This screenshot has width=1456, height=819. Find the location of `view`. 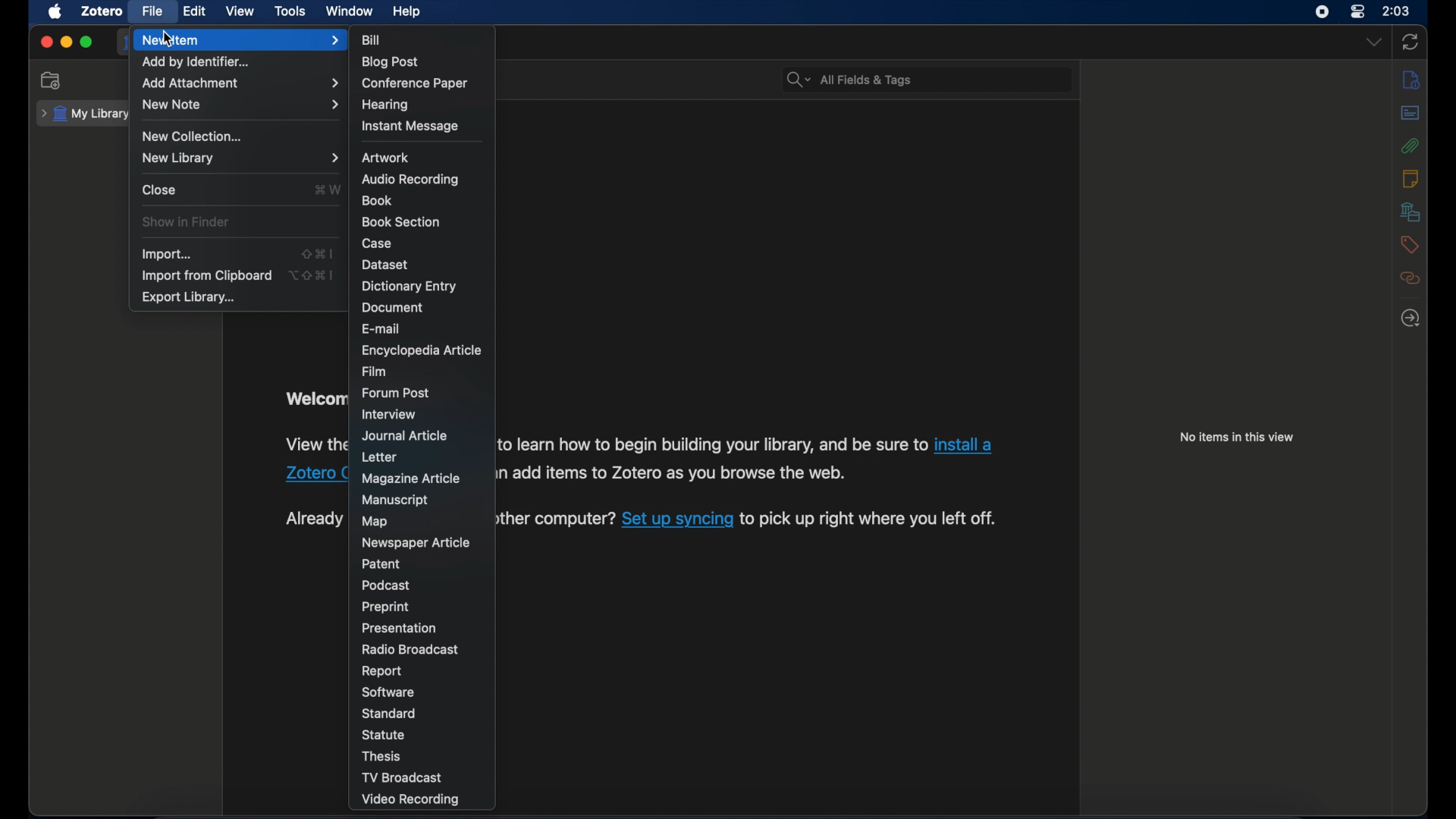

view is located at coordinates (242, 11).